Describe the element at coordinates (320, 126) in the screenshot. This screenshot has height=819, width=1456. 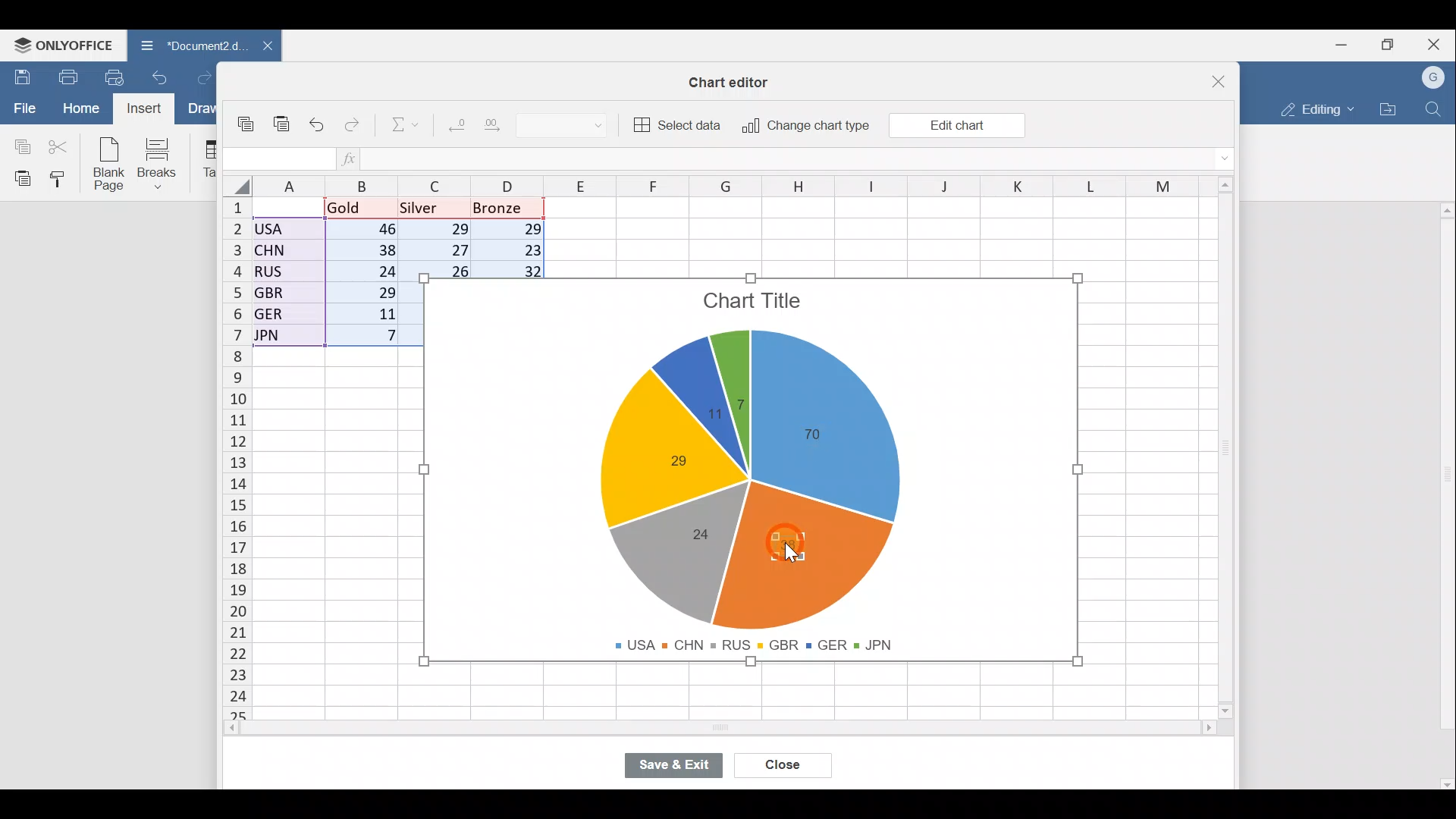
I see `Undo` at that location.